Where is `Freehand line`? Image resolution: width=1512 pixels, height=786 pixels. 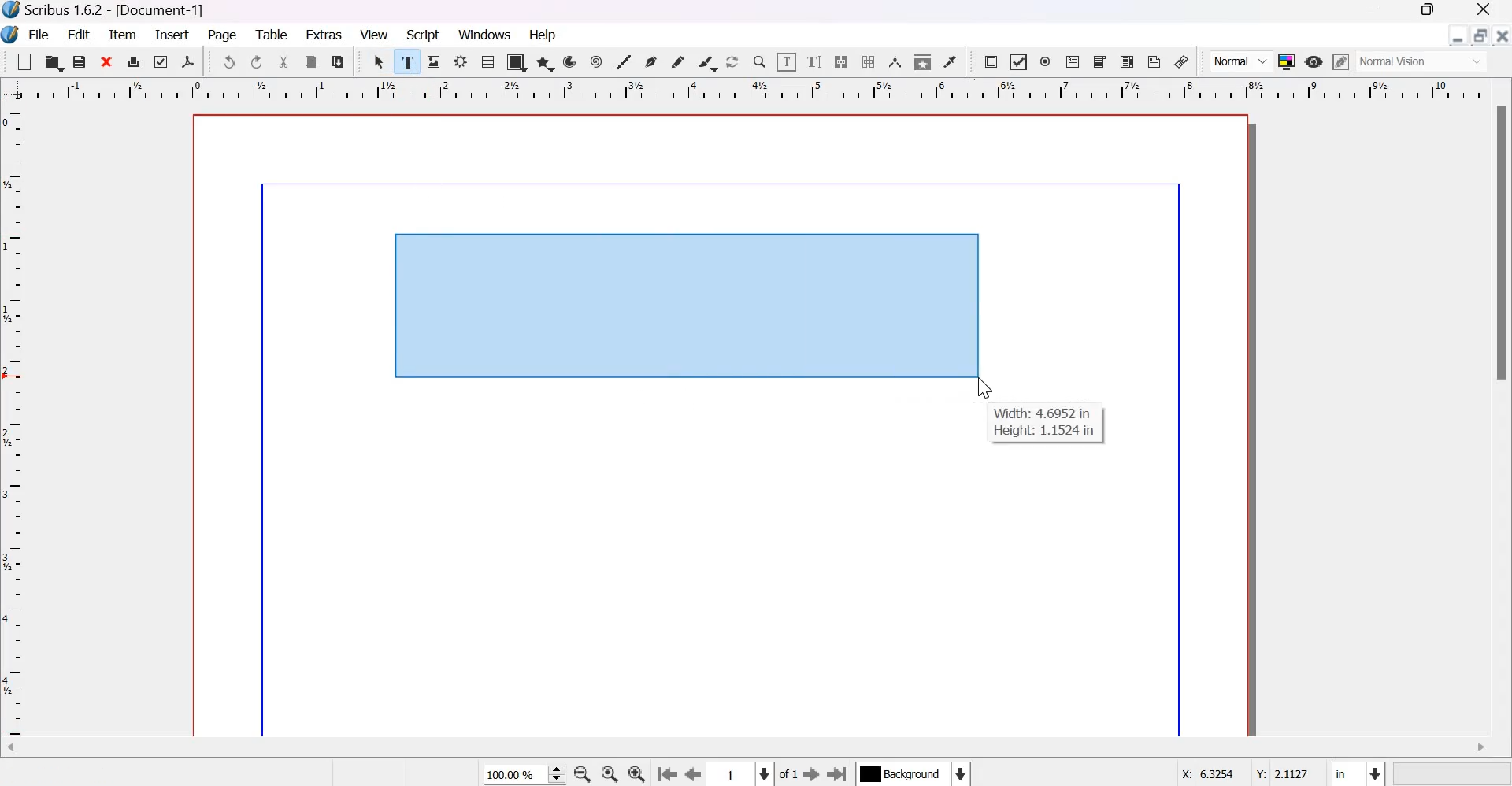
Freehand line is located at coordinates (677, 62).